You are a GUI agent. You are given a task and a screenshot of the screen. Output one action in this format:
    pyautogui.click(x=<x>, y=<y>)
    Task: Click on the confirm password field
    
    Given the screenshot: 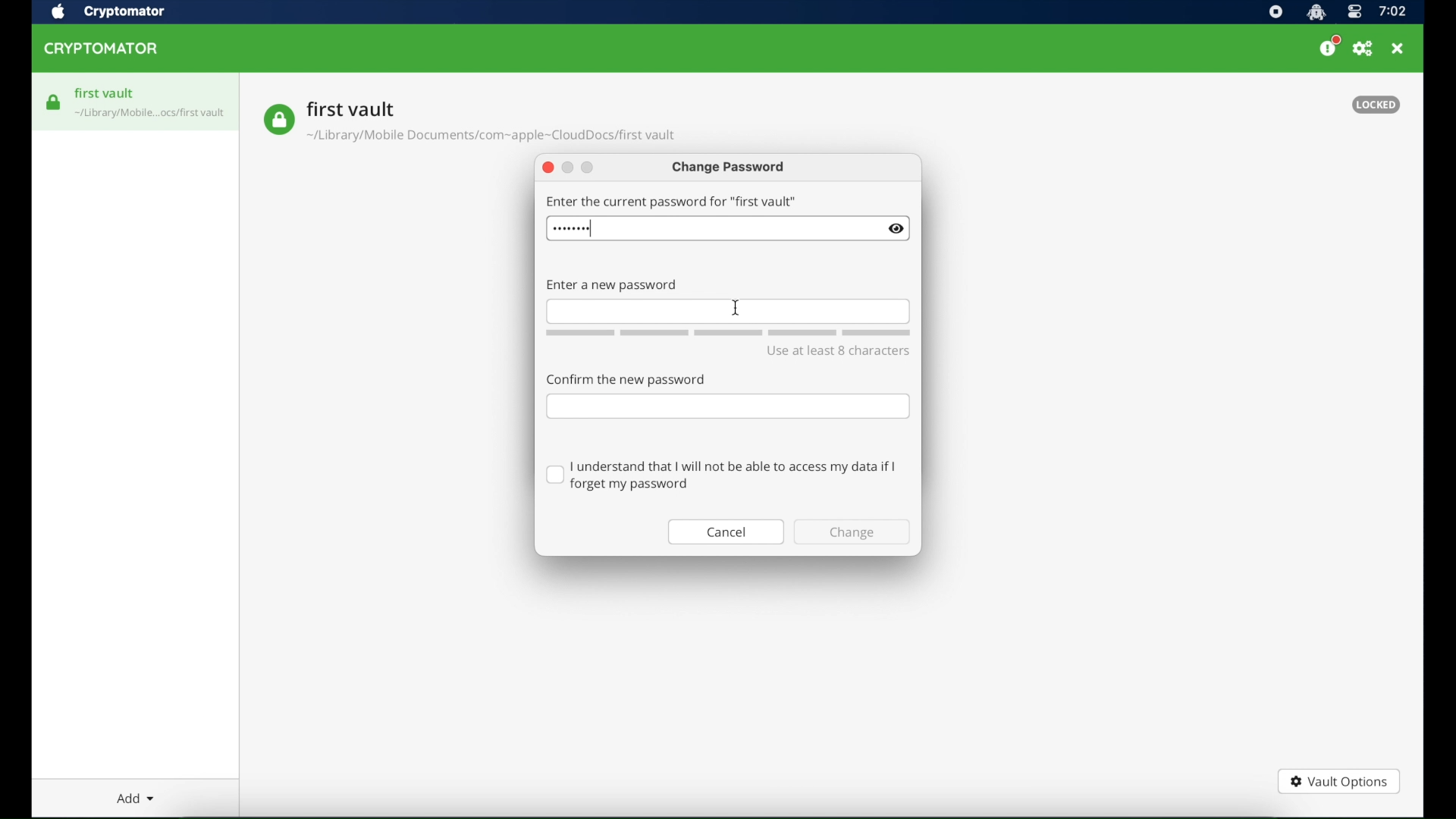 What is the action you would take?
    pyautogui.click(x=728, y=407)
    